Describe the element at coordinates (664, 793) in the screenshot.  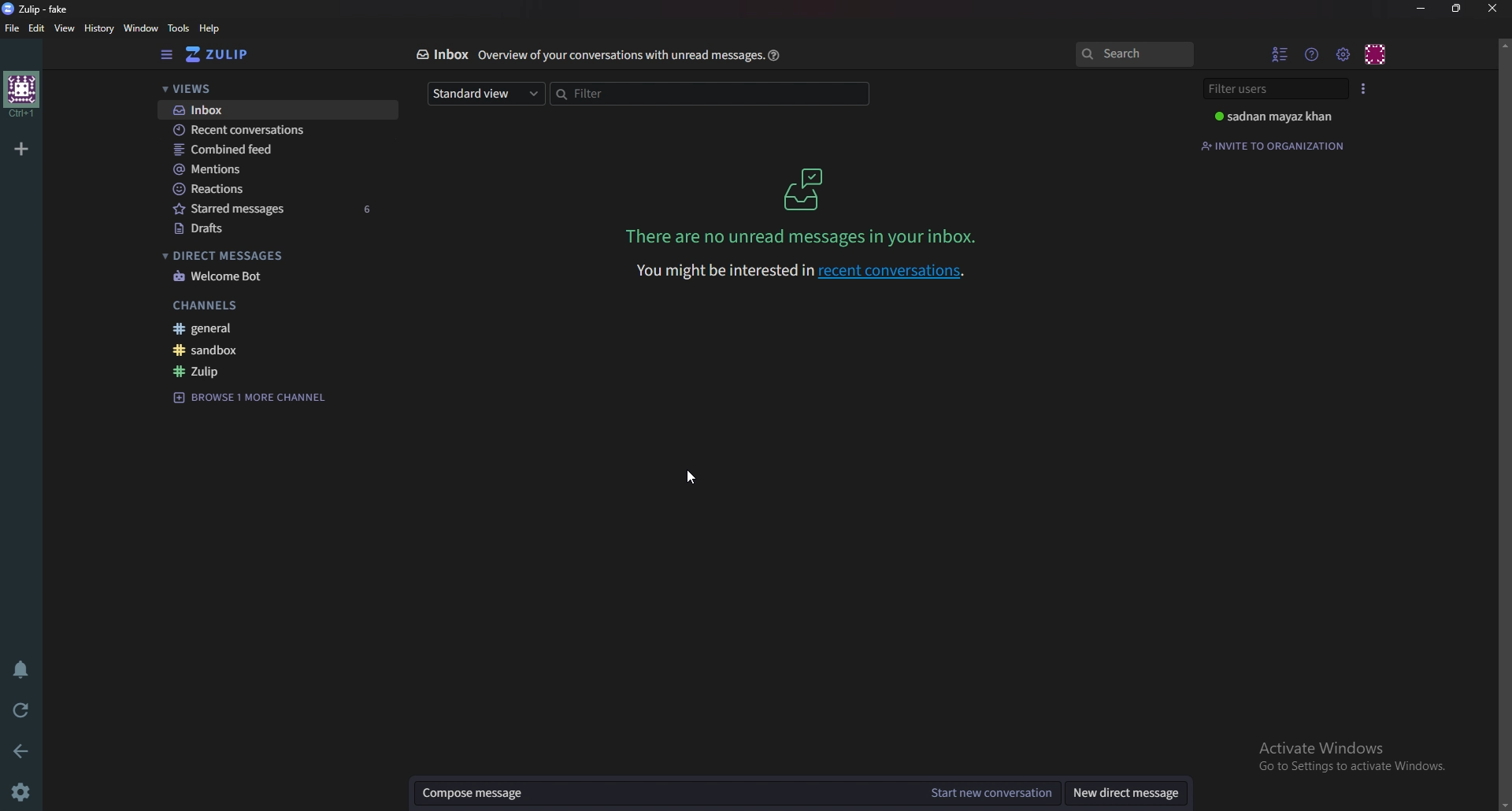
I see `Compose message` at that location.